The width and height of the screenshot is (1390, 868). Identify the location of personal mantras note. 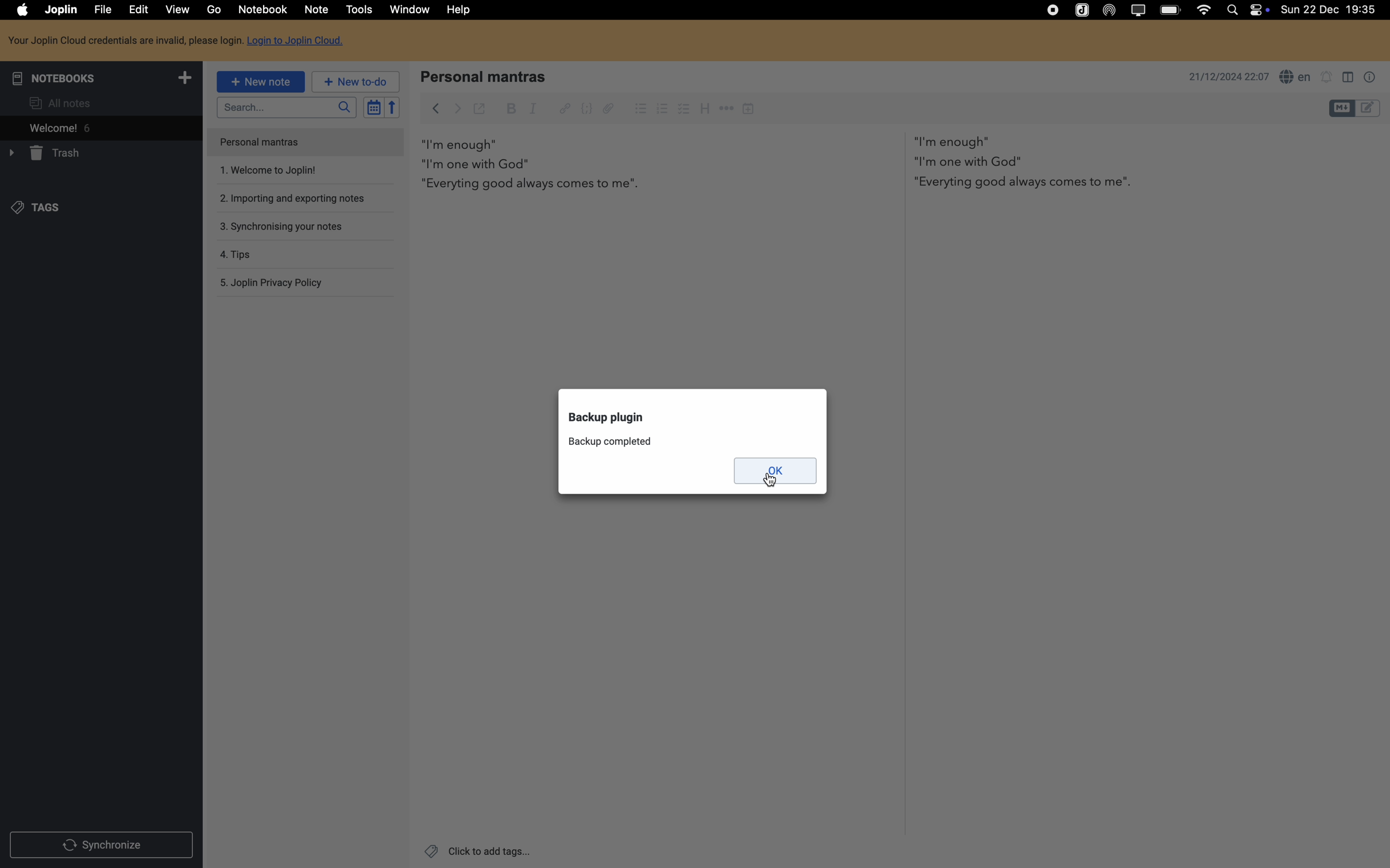
(307, 141).